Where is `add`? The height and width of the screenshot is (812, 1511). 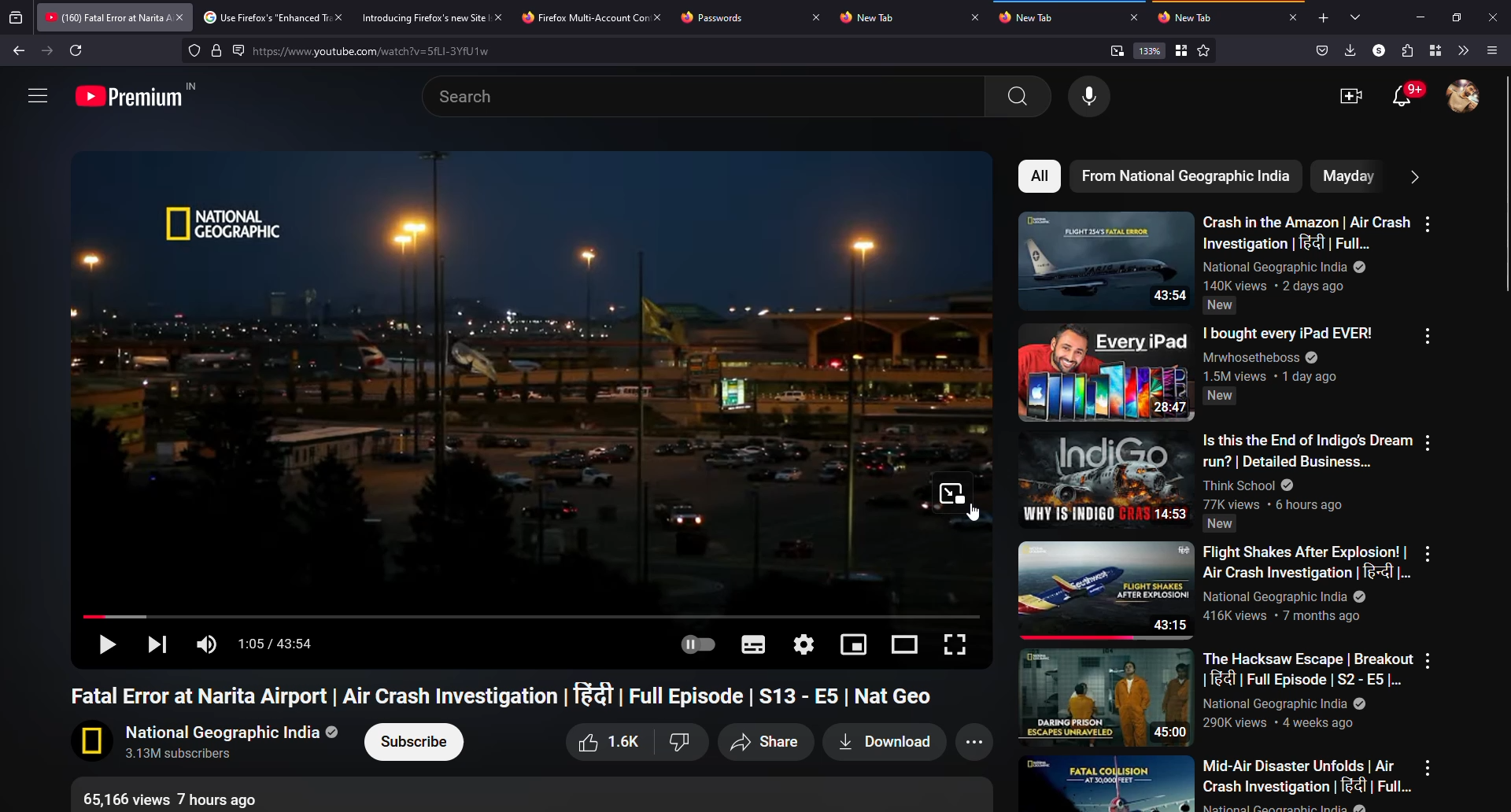
add is located at coordinates (1322, 19).